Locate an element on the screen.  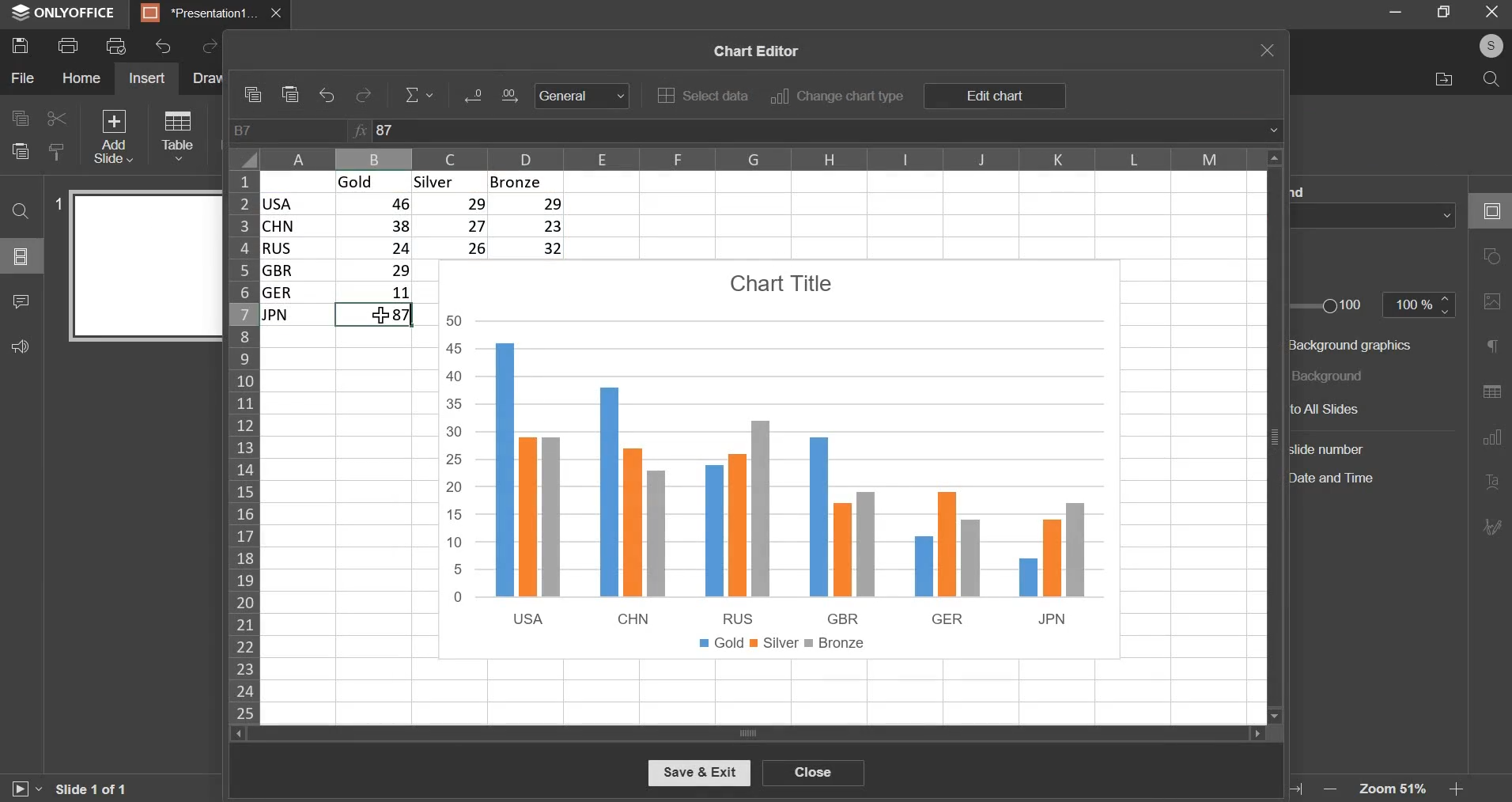
paste is located at coordinates (20, 152).